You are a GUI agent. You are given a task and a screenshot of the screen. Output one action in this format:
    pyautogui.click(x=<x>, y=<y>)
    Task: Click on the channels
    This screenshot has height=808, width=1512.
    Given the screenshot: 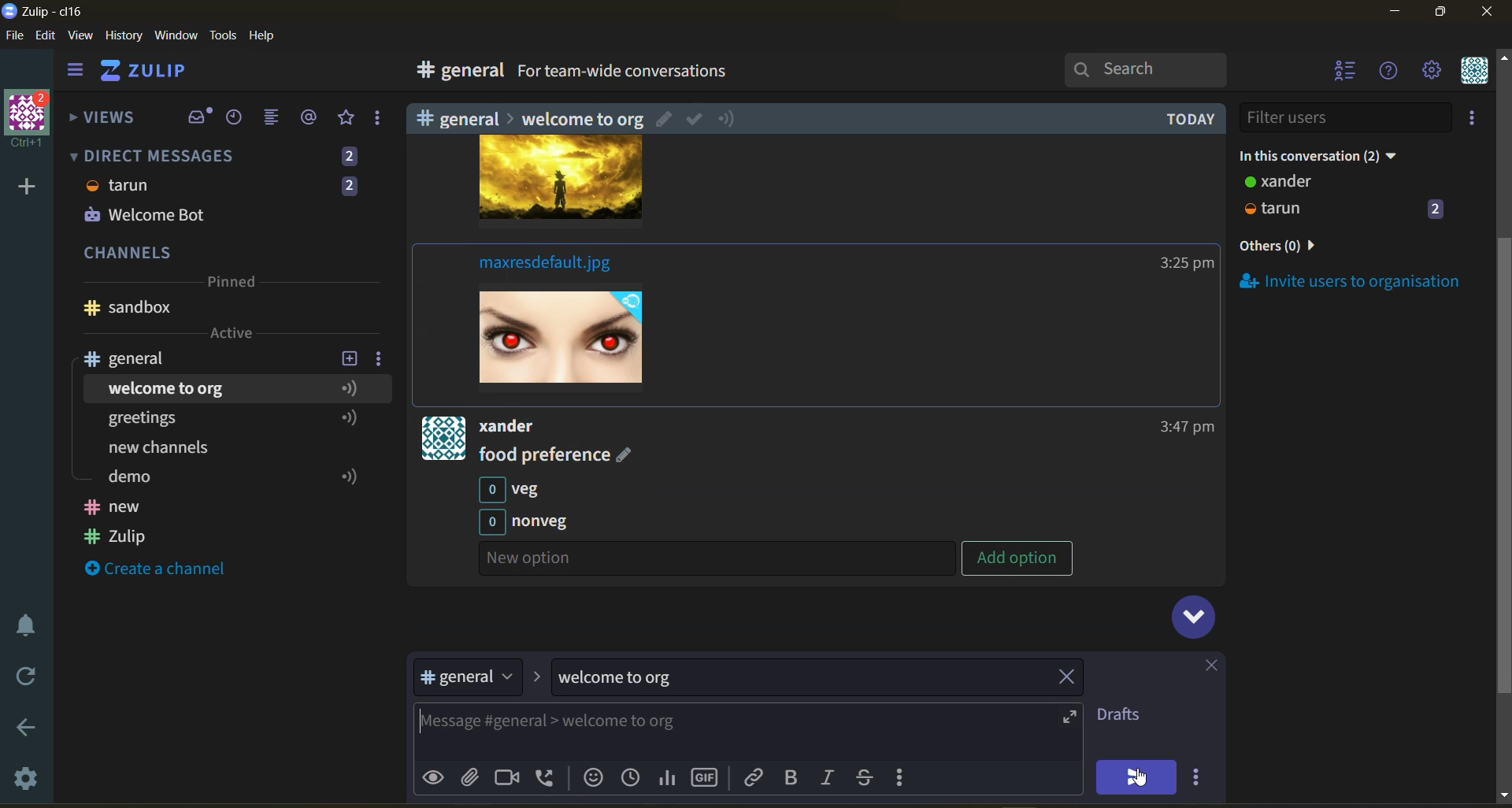 What is the action you would take?
    pyautogui.click(x=228, y=254)
    